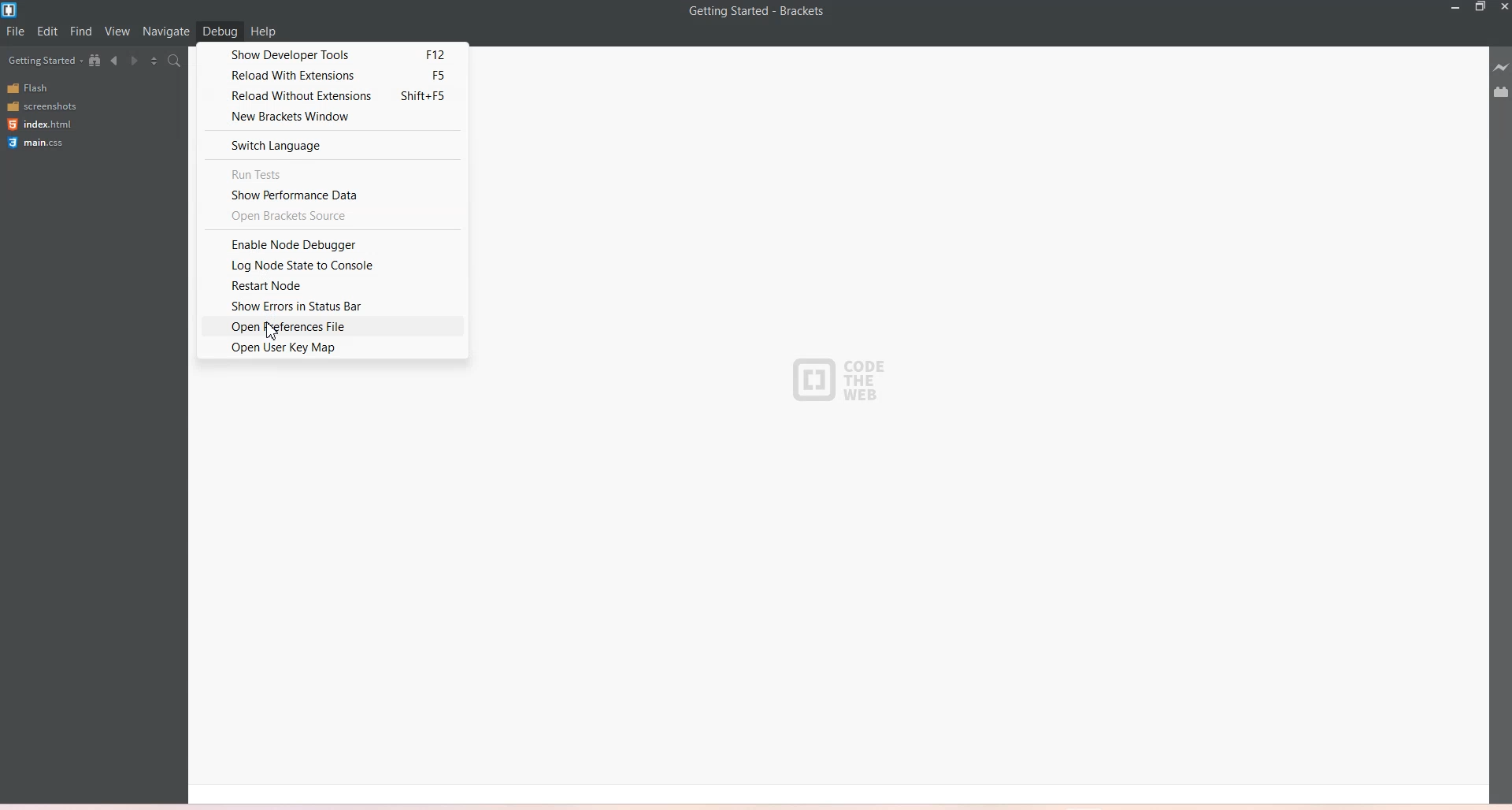  What do you see at coordinates (156, 61) in the screenshot?
I see `Split the editor vertically and Horizontally` at bounding box center [156, 61].